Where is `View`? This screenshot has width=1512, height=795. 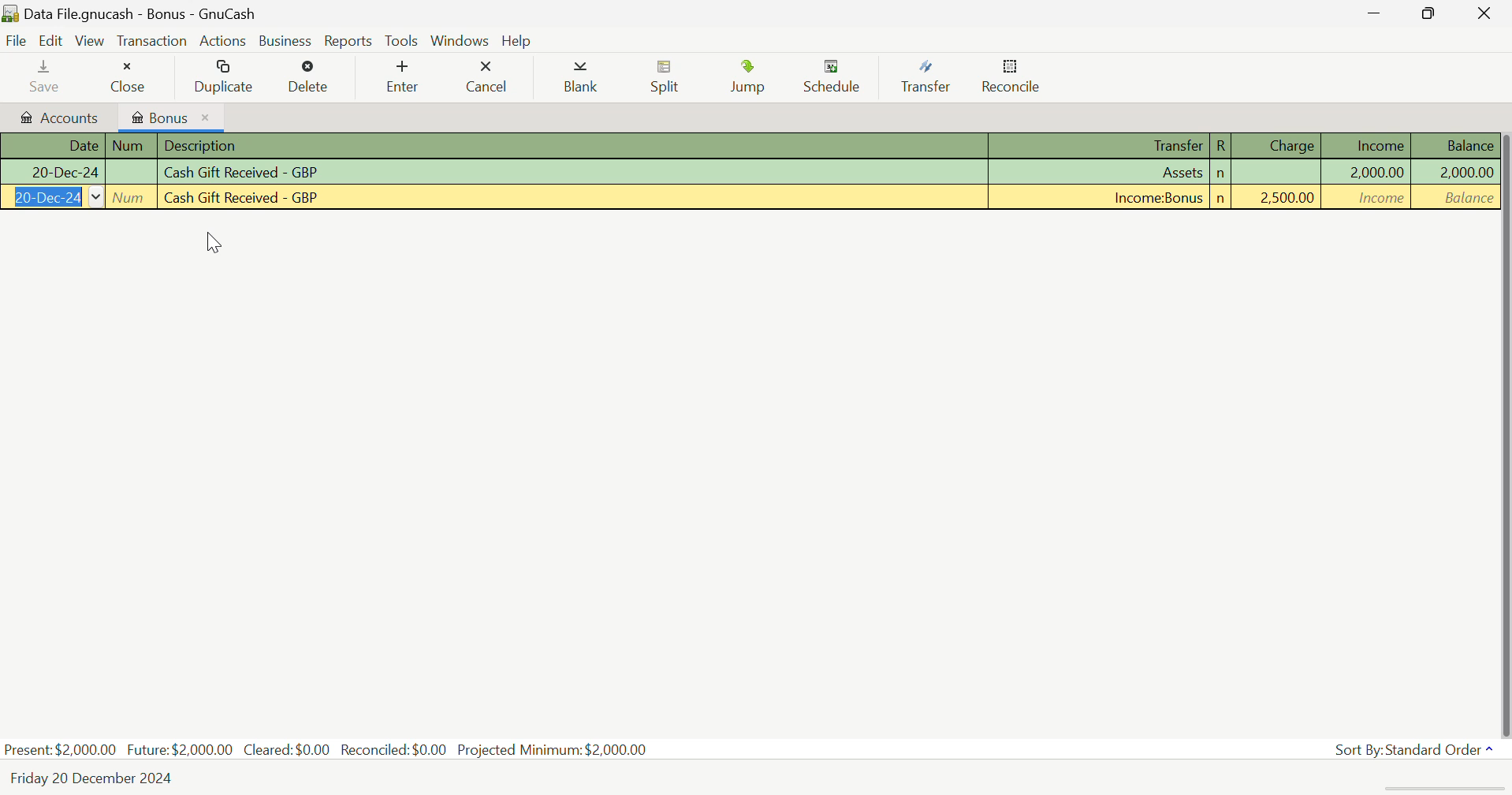 View is located at coordinates (91, 39).